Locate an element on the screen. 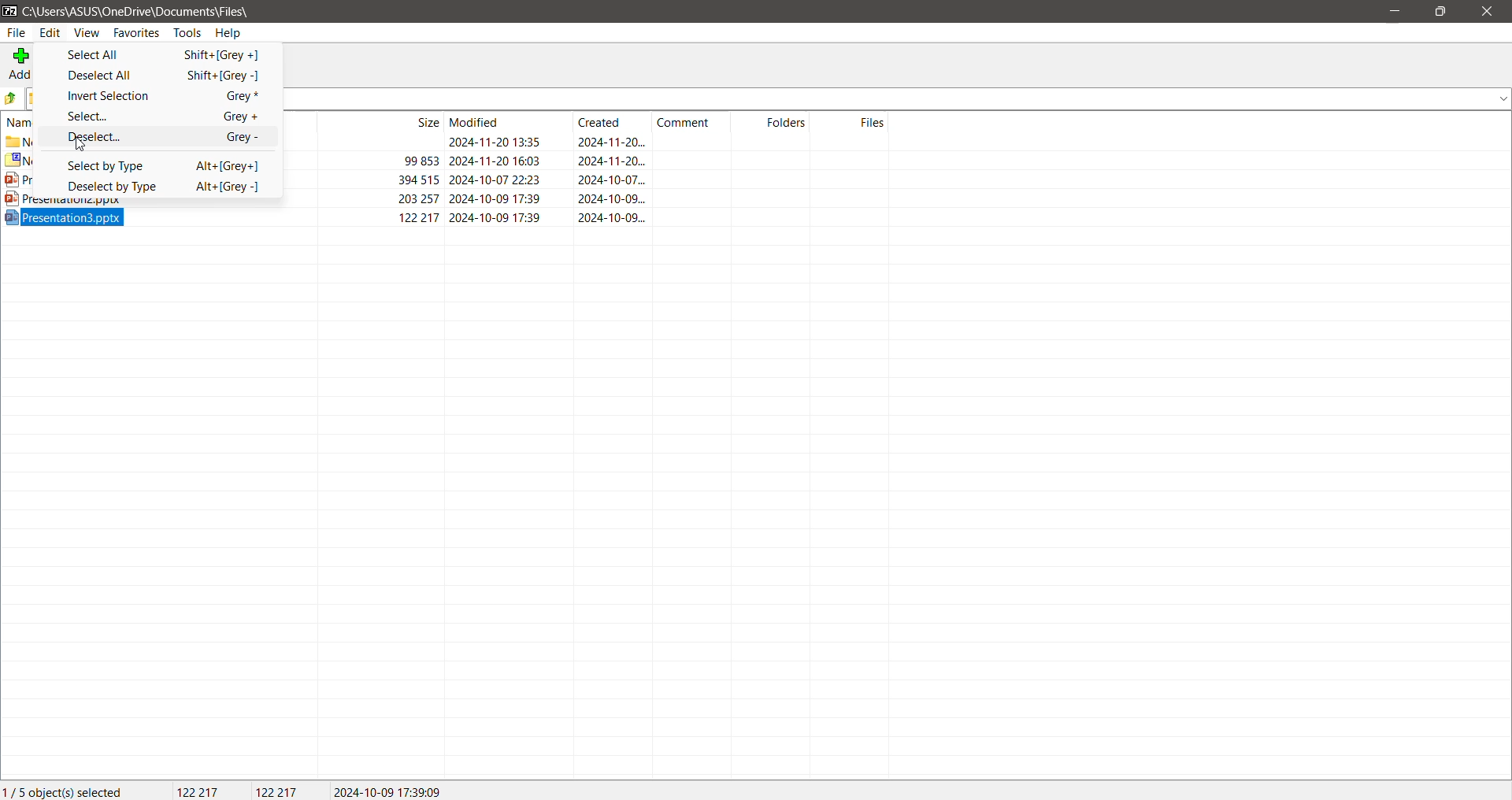 The height and width of the screenshot is (800, 1512). Current Folder Path is located at coordinates (139, 9).